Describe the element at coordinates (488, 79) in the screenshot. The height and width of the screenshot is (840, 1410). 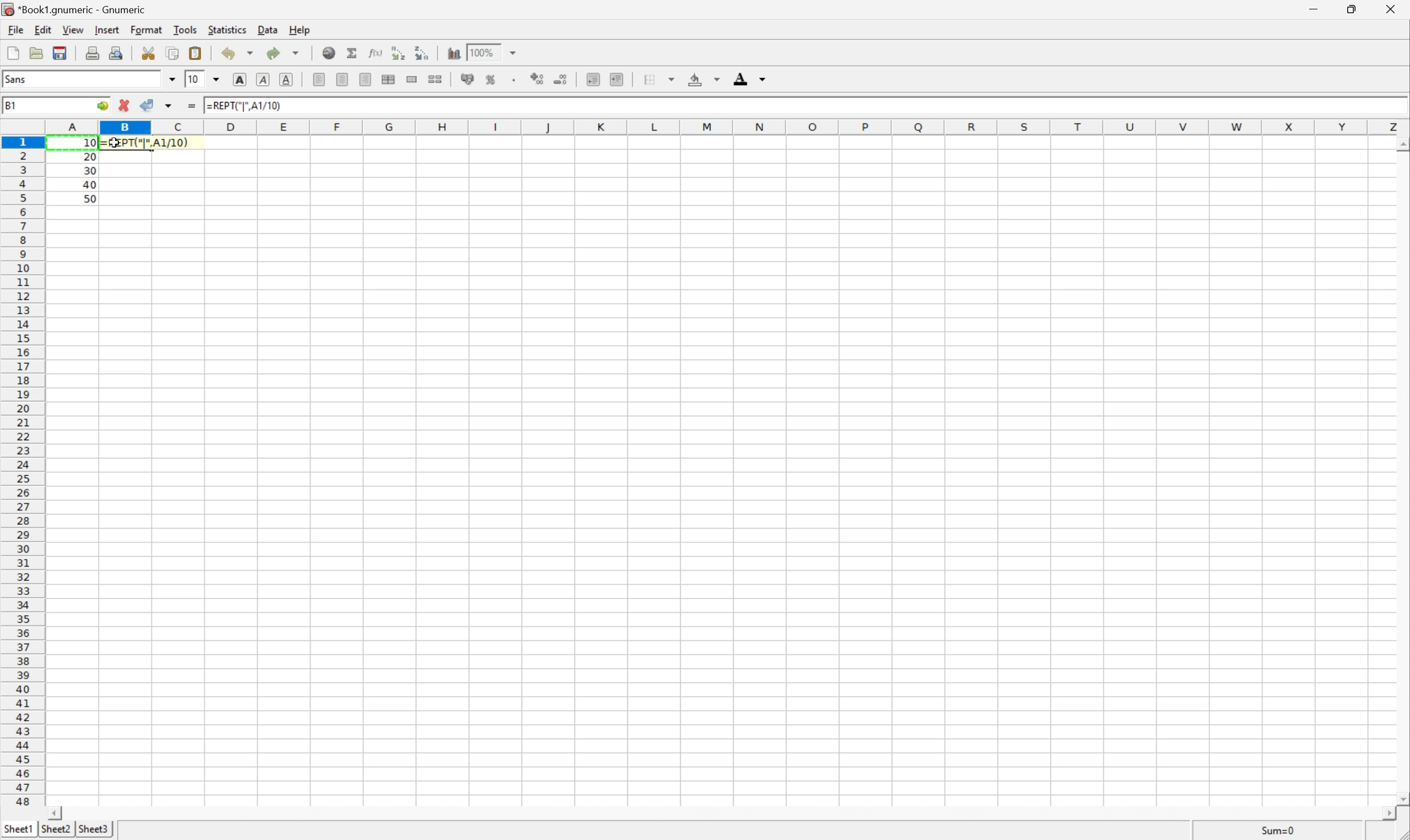
I see `Format the selection as percentage` at that location.